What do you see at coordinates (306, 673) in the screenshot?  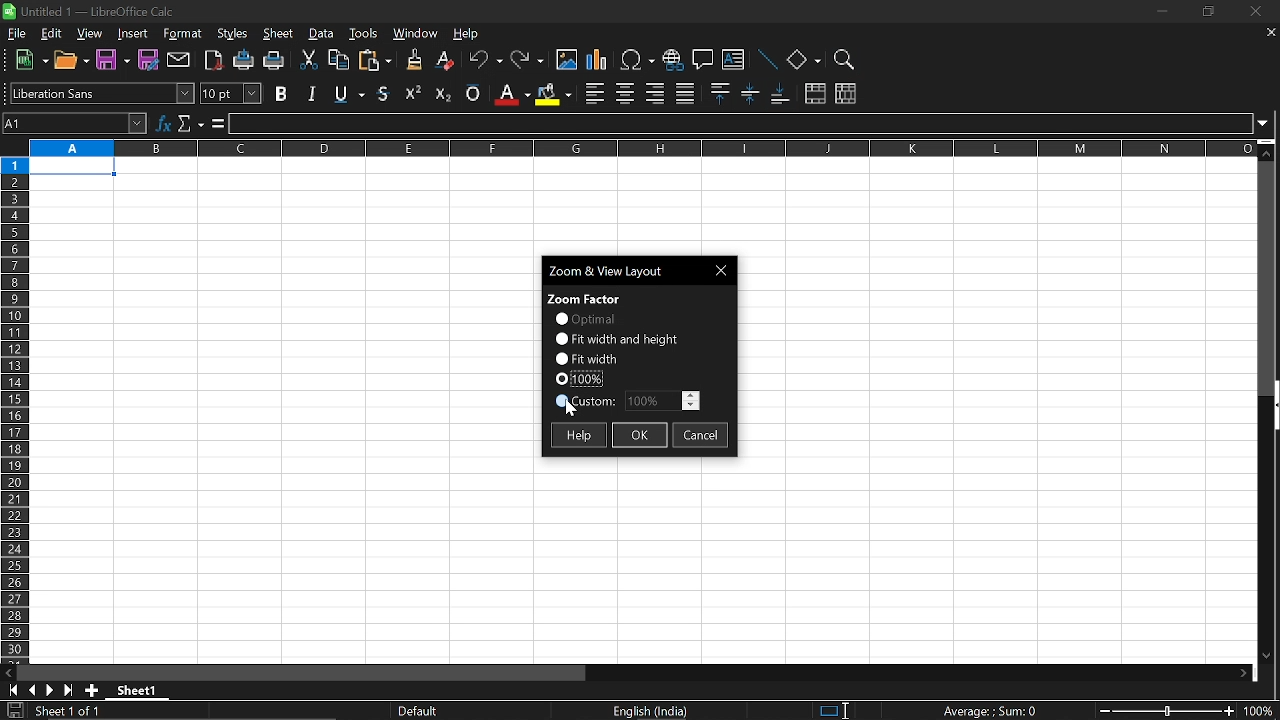 I see `horizontal scrollbar` at bounding box center [306, 673].